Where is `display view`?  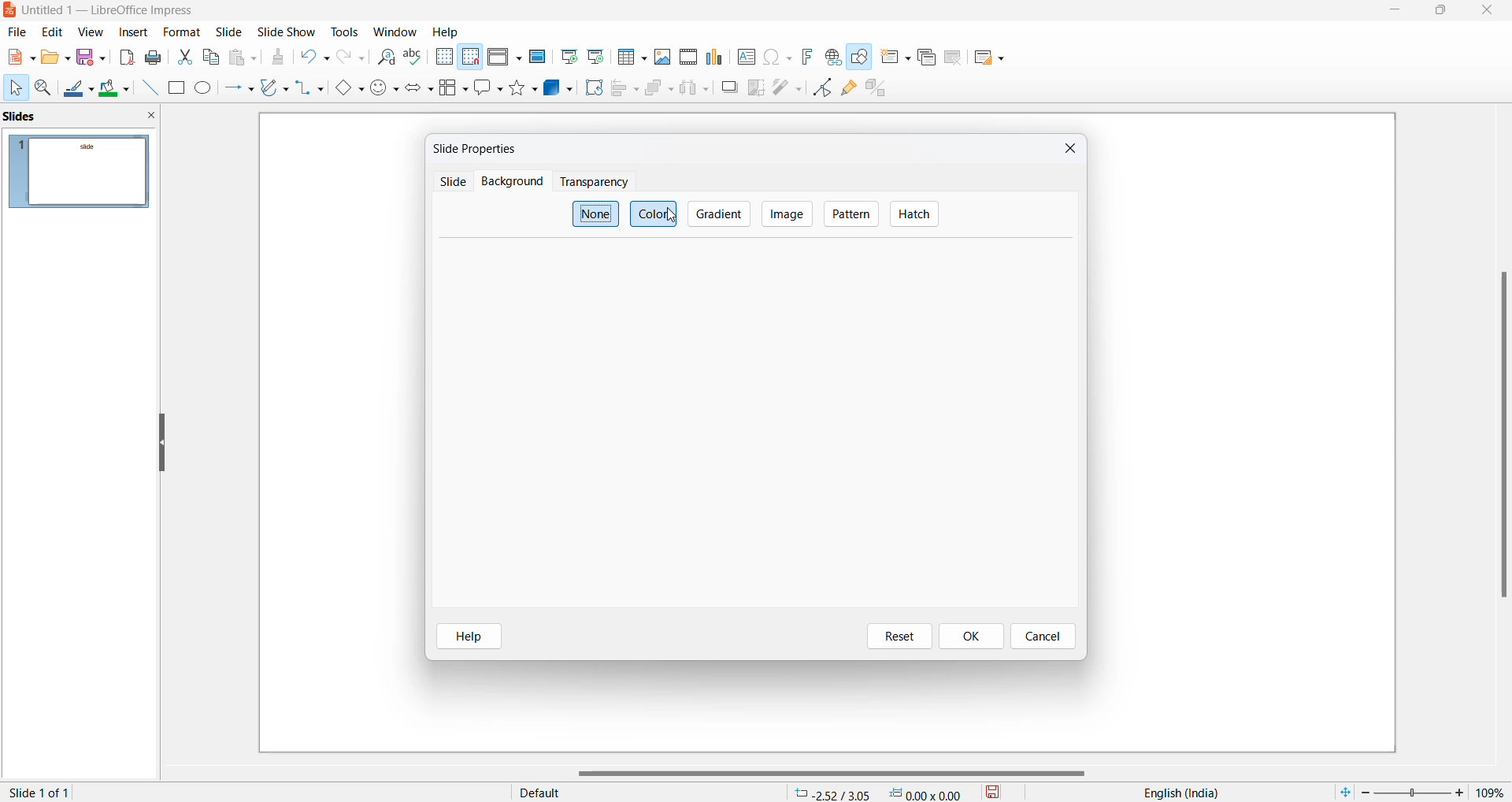 display view is located at coordinates (505, 58).